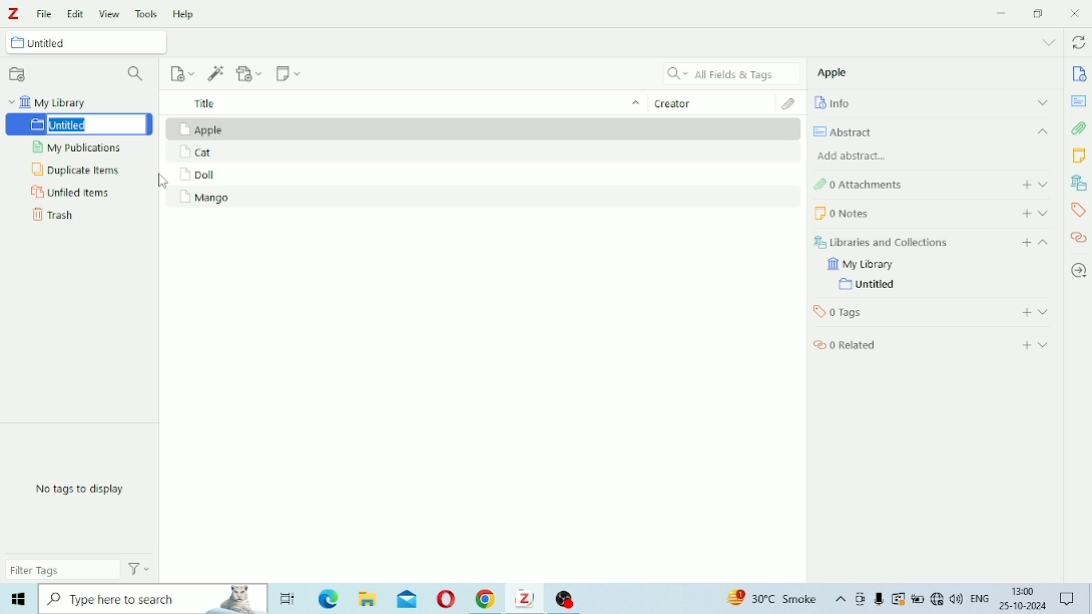 The height and width of the screenshot is (614, 1092). What do you see at coordinates (53, 214) in the screenshot?
I see `Trash` at bounding box center [53, 214].